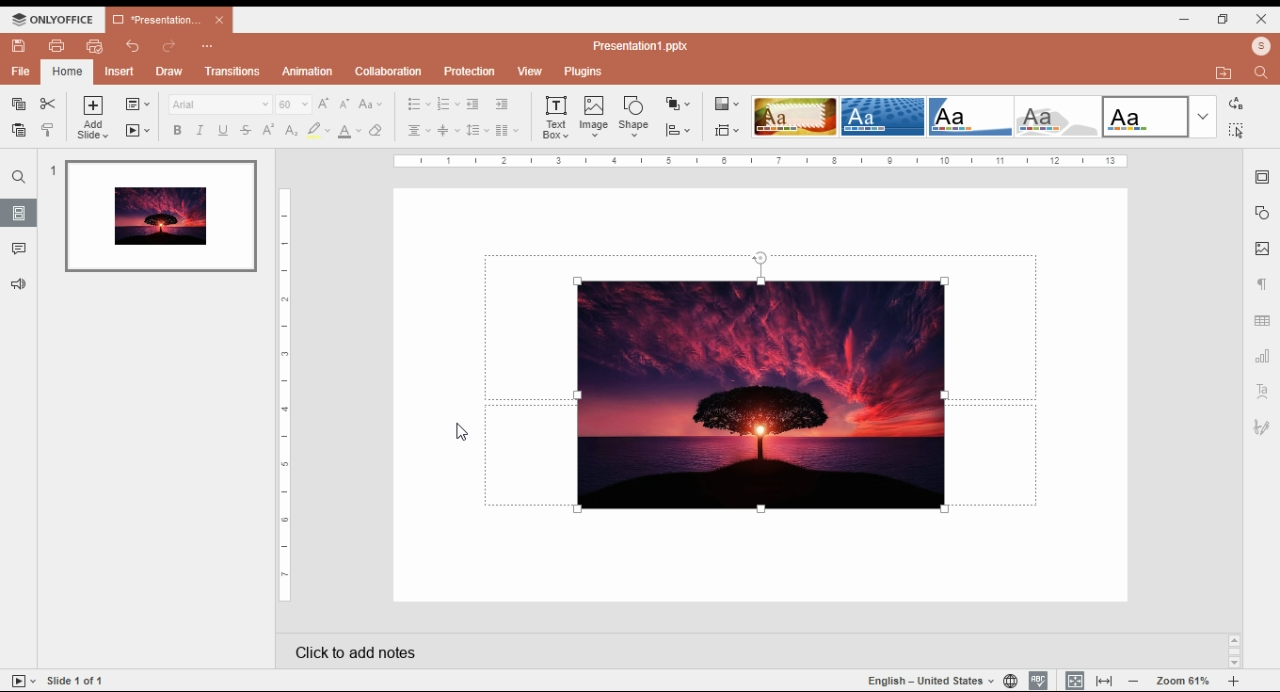  Describe the element at coordinates (471, 71) in the screenshot. I see `protection` at that location.